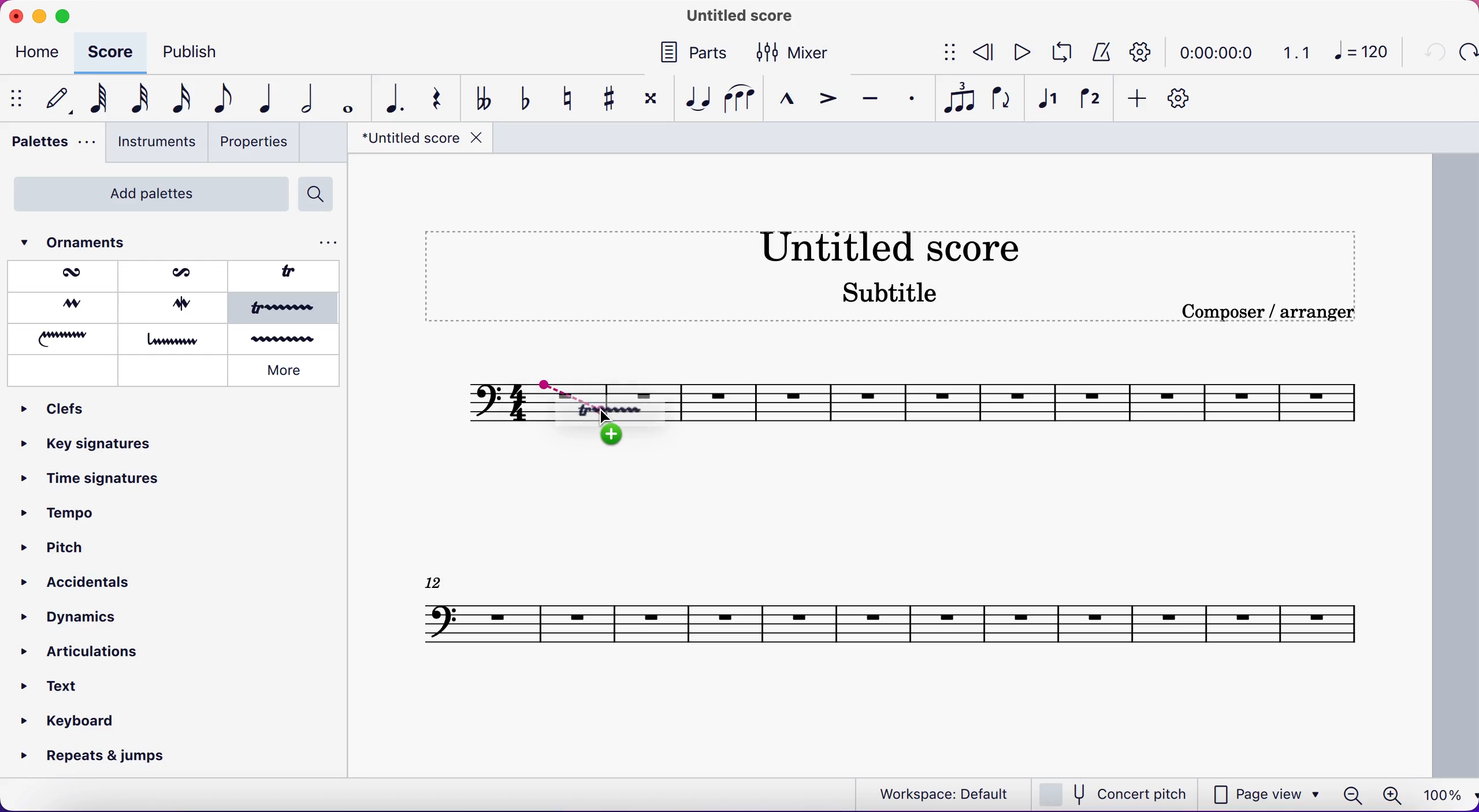  What do you see at coordinates (1281, 312) in the screenshot?
I see `Composer / arranger` at bounding box center [1281, 312].